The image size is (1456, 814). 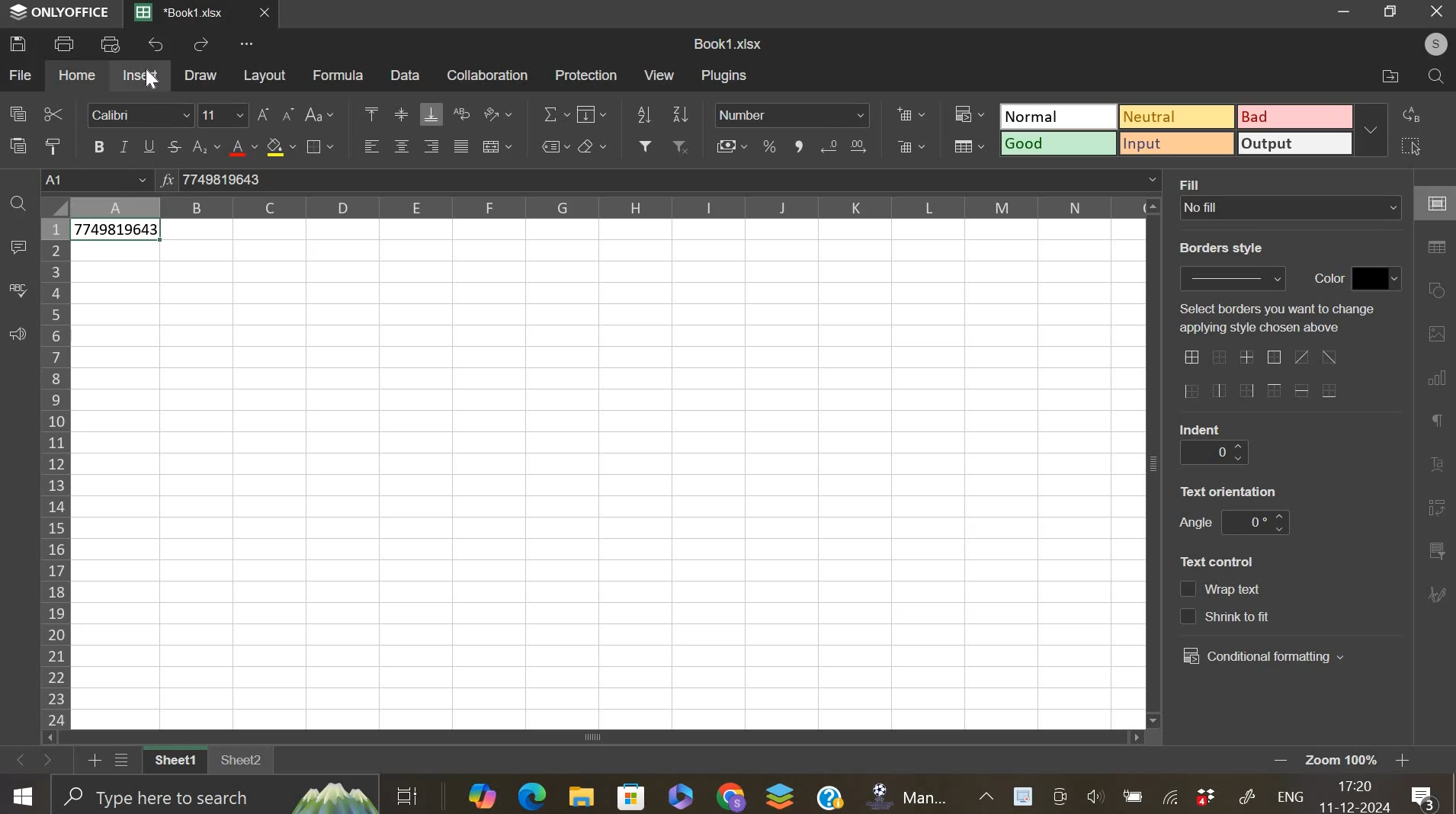 What do you see at coordinates (643, 113) in the screenshot?
I see `sort ascending` at bounding box center [643, 113].